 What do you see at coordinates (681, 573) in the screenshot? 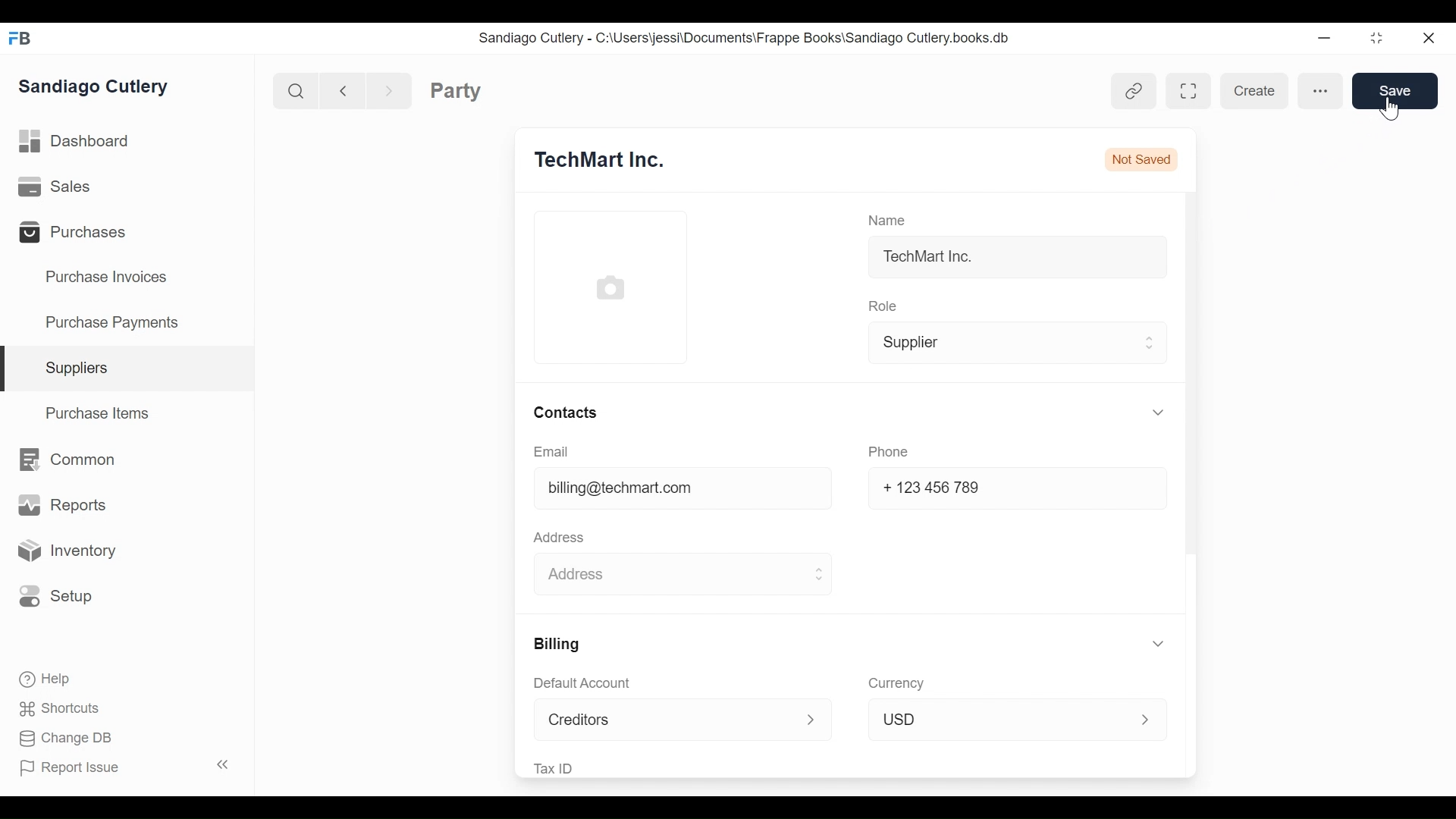
I see `Address` at bounding box center [681, 573].